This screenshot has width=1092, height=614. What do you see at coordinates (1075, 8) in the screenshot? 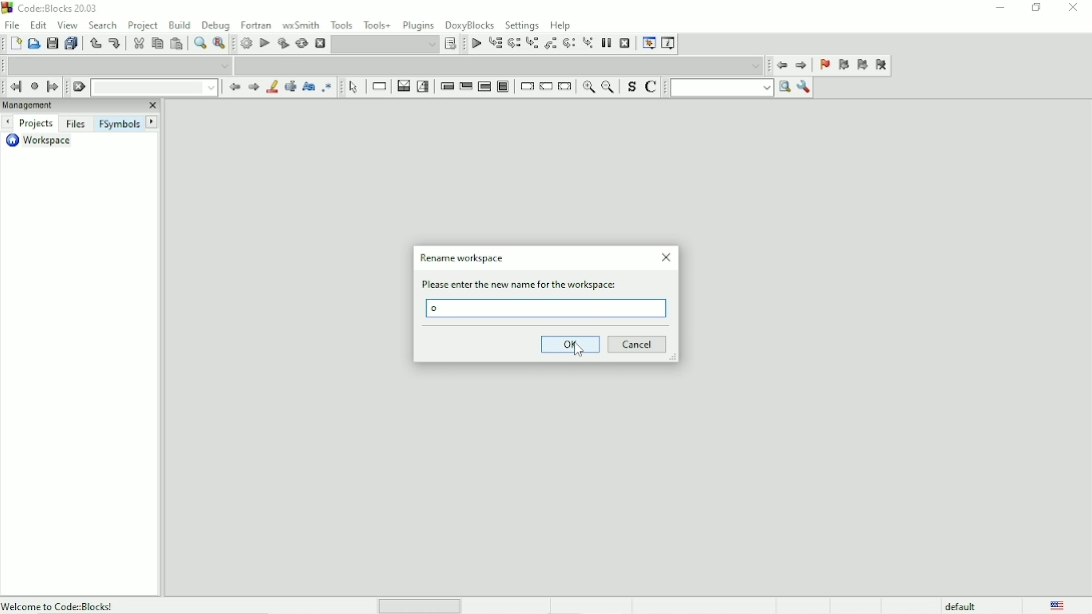
I see `Close` at bounding box center [1075, 8].